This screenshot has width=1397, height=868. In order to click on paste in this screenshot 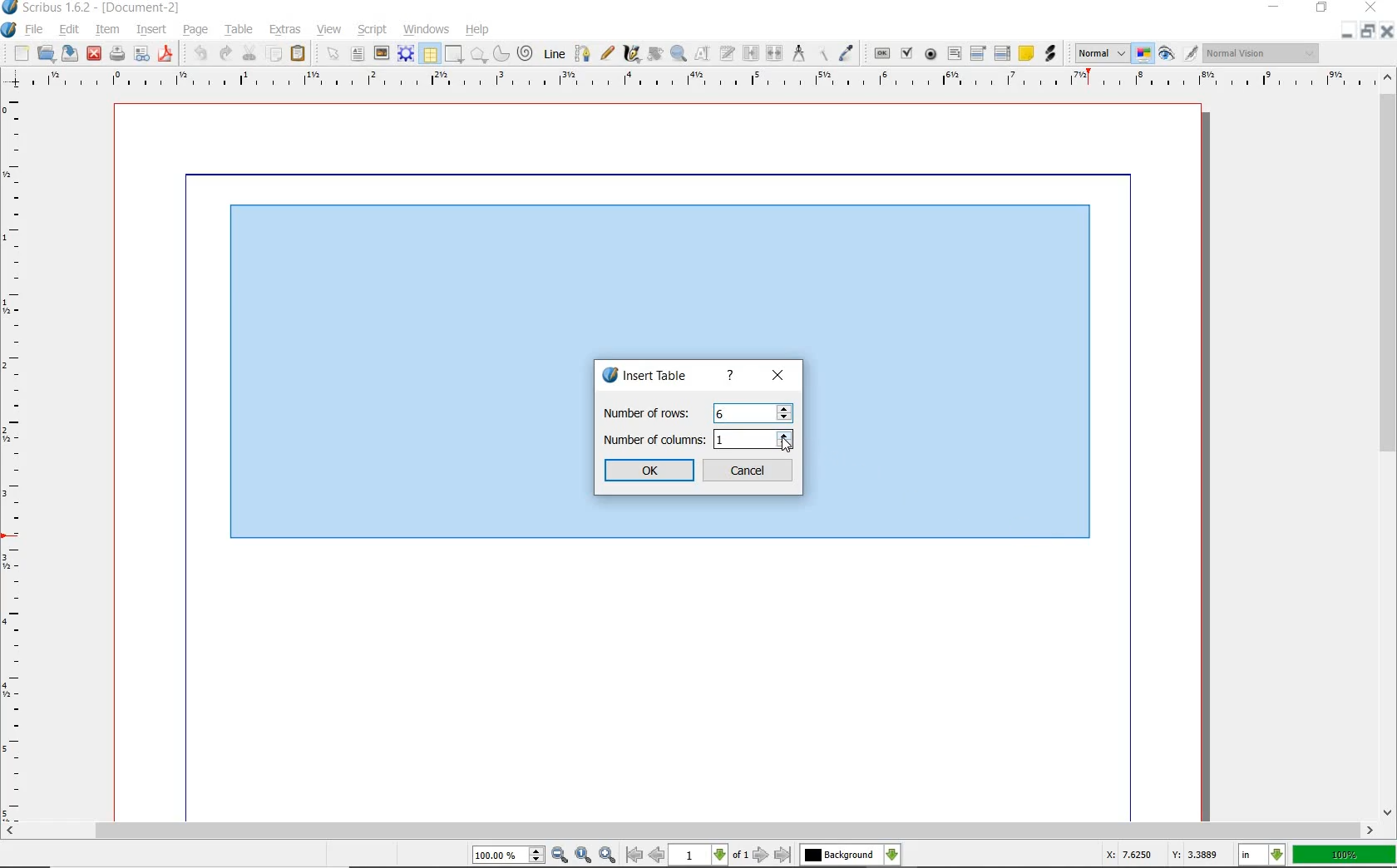, I will do `click(299, 55)`.